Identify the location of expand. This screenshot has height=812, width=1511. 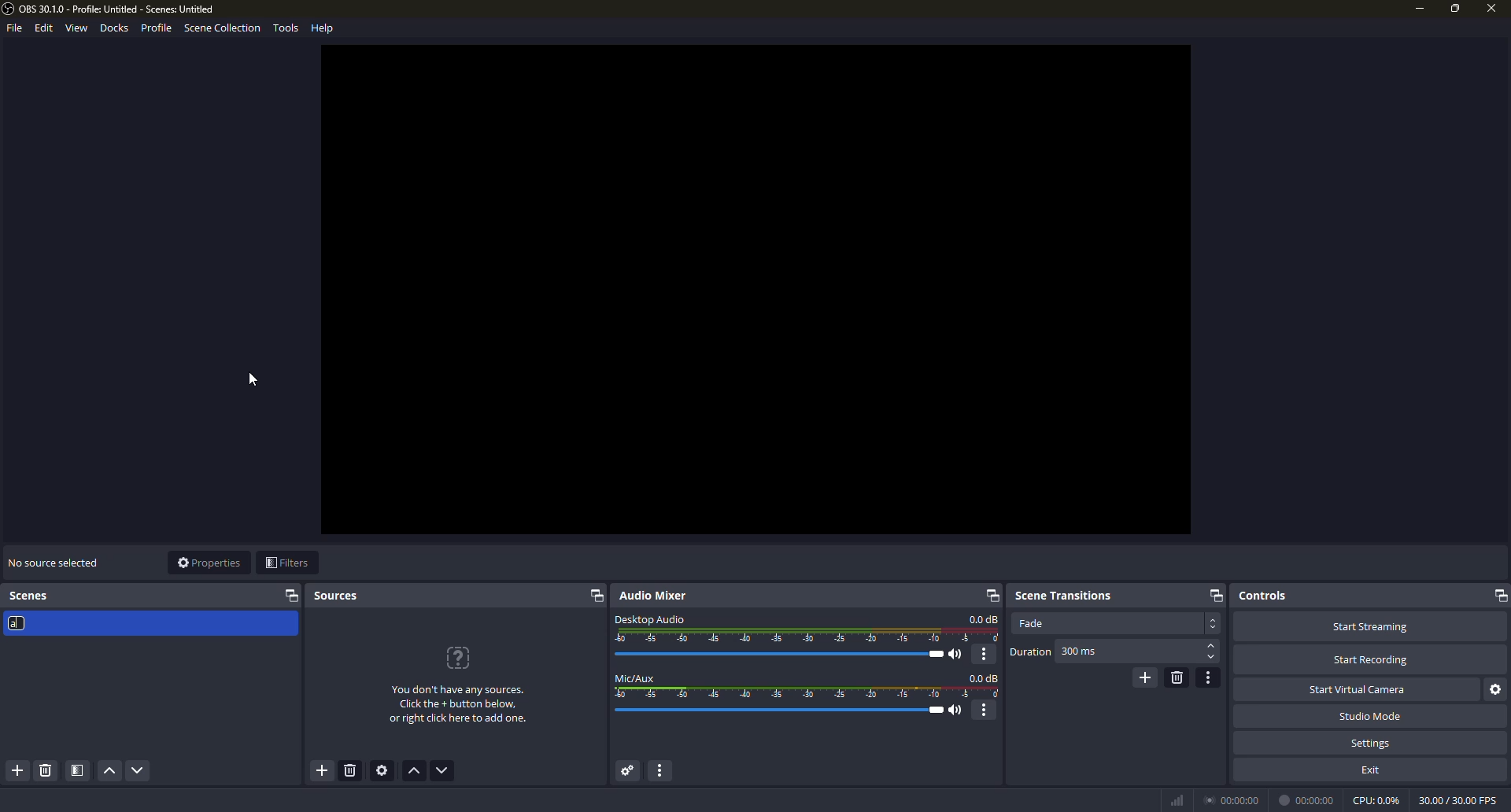
(595, 597).